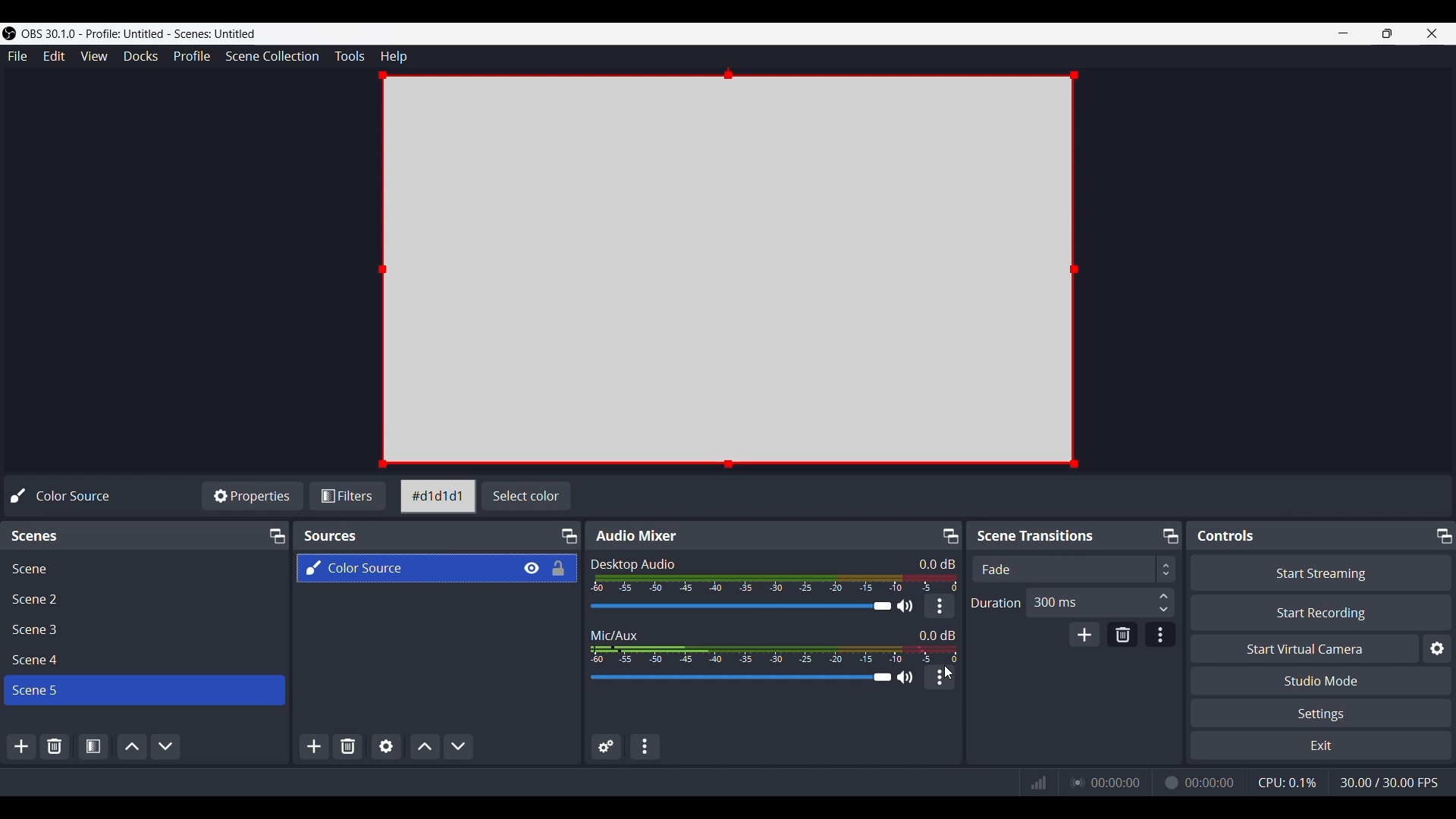  I want to click on Maximize, so click(1168, 533).